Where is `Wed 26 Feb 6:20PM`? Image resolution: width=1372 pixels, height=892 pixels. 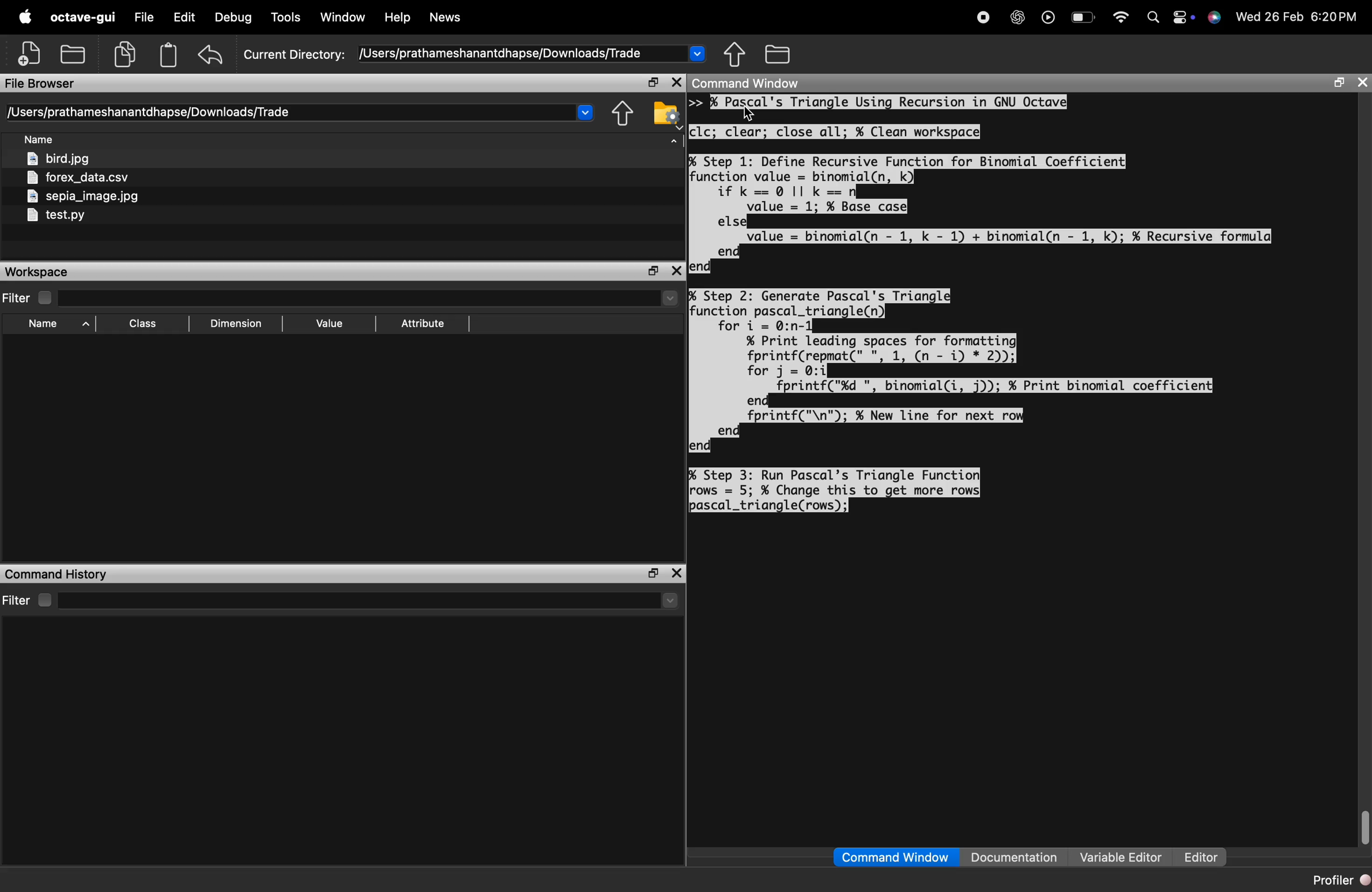 Wed 26 Feb 6:20PM is located at coordinates (1299, 16).